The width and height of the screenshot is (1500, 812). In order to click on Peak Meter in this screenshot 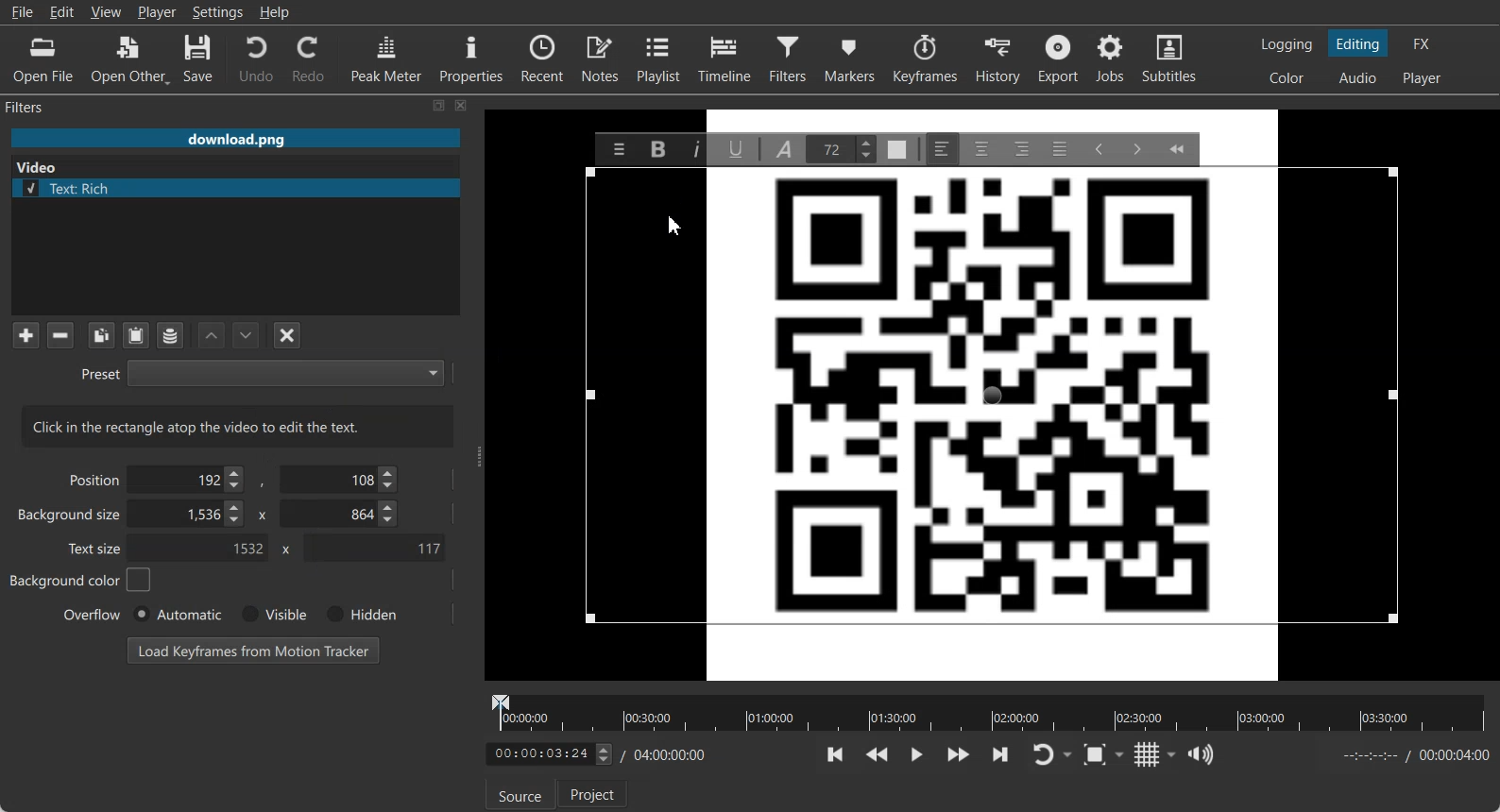, I will do `click(387, 58)`.